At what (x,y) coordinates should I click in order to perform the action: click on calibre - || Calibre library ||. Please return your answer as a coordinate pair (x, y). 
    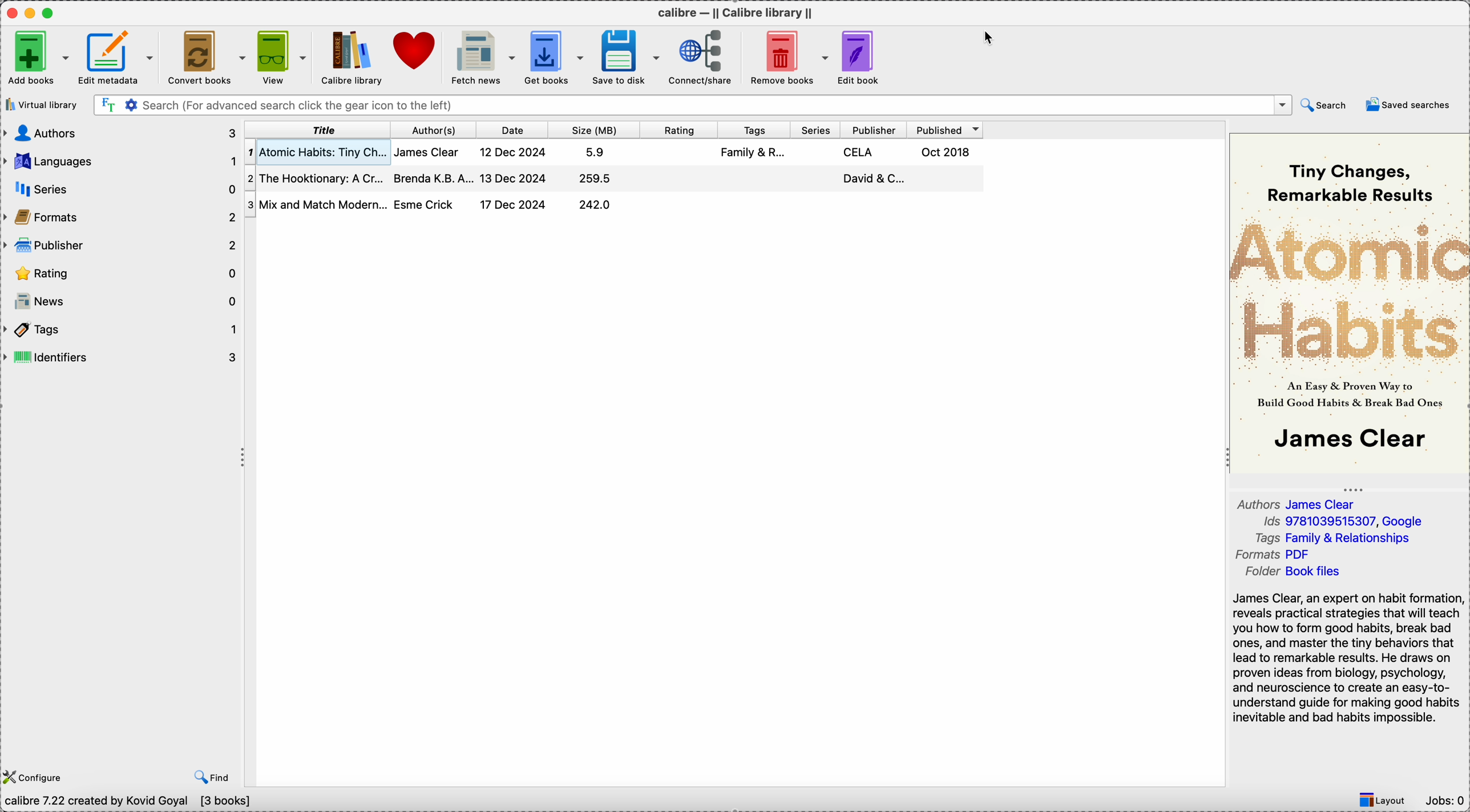
    Looking at the image, I should click on (737, 11).